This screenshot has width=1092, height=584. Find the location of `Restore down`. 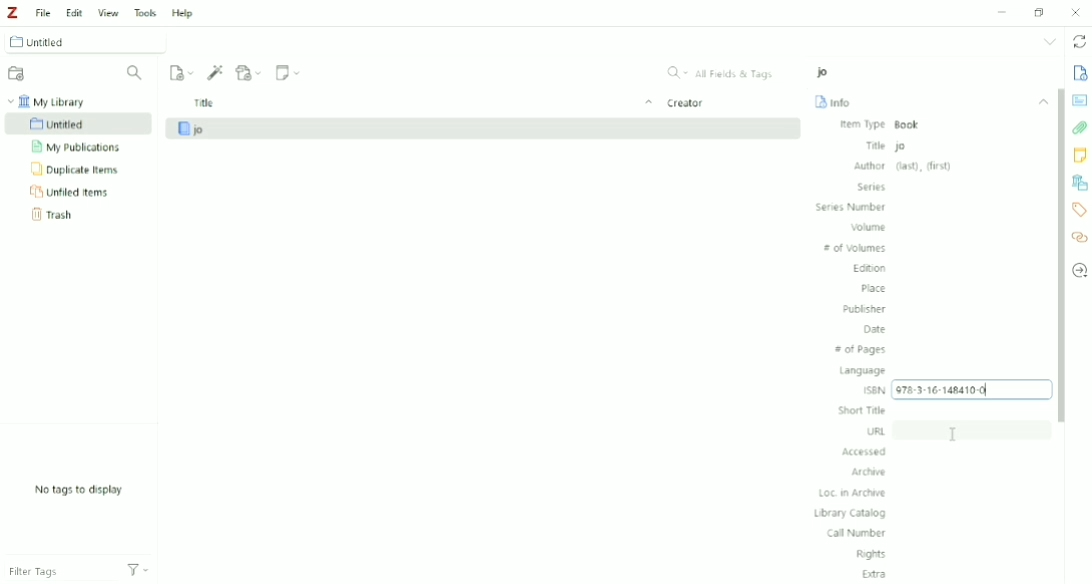

Restore down is located at coordinates (1038, 12).